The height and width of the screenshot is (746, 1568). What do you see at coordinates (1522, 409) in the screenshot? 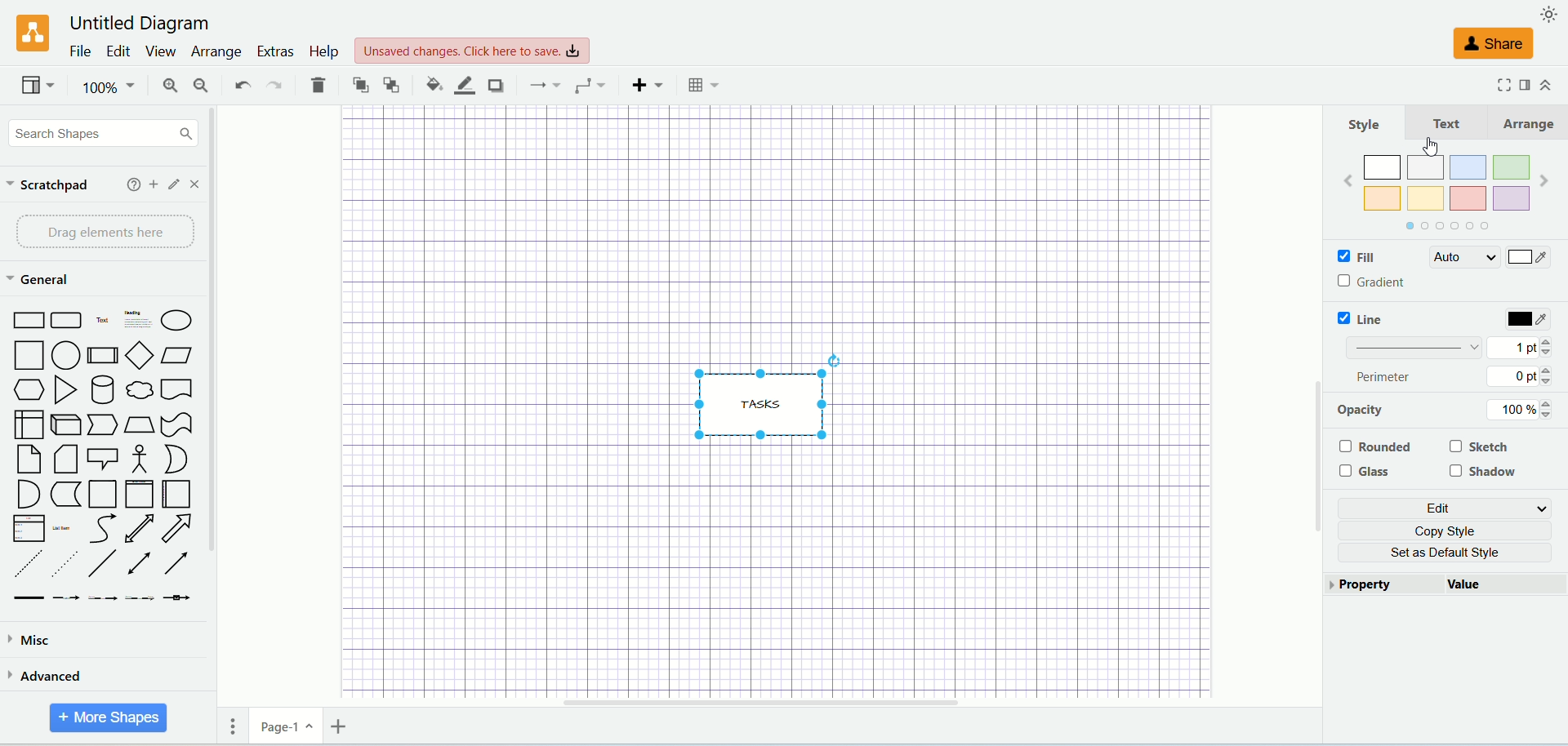
I see `100 %` at bounding box center [1522, 409].